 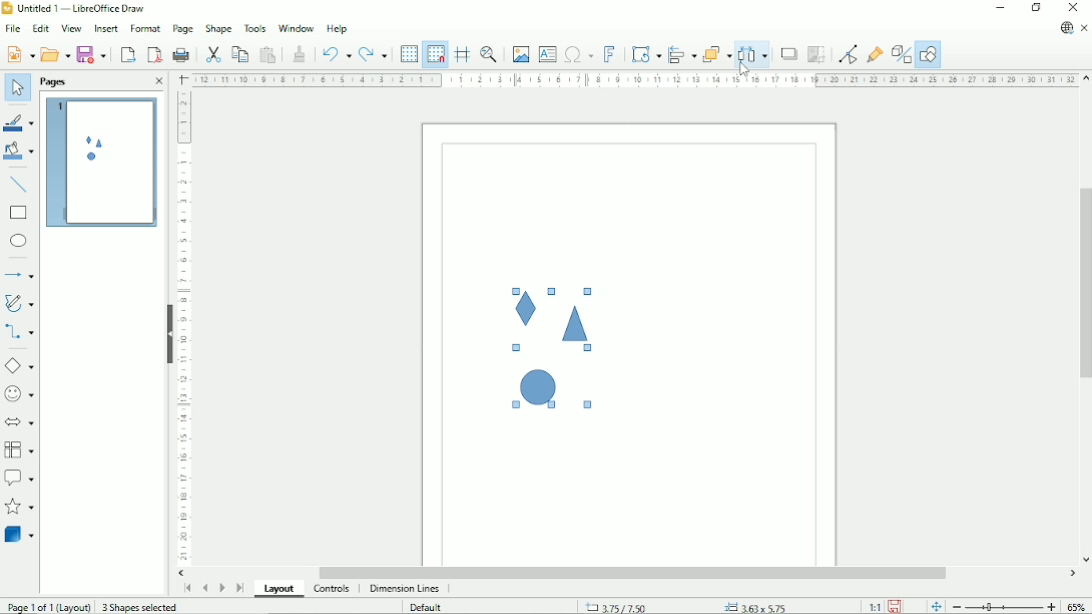 What do you see at coordinates (144, 27) in the screenshot?
I see `Format` at bounding box center [144, 27].